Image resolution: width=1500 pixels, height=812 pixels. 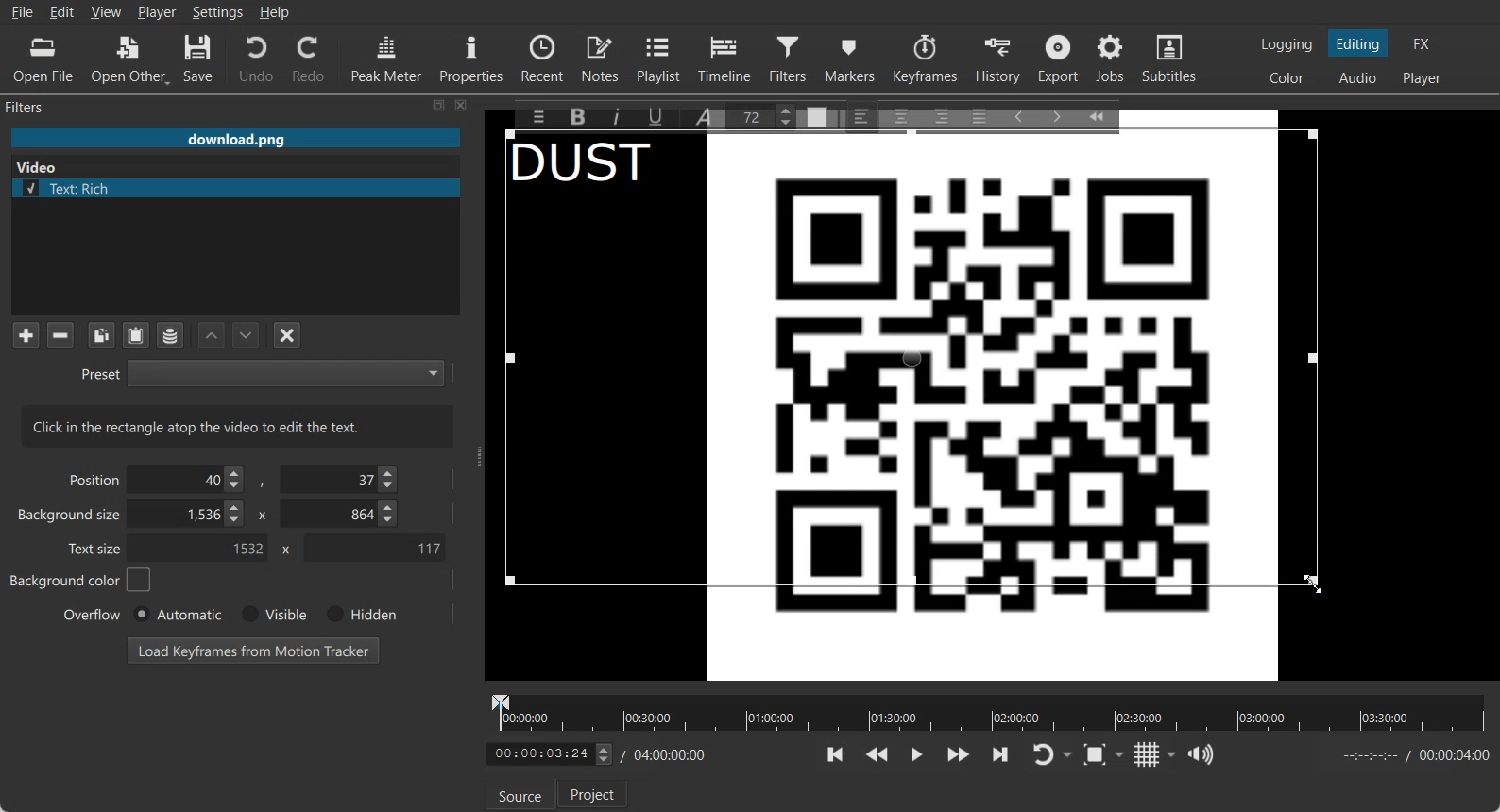 What do you see at coordinates (358, 614) in the screenshot?
I see `Hidden` at bounding box center [358, 614].